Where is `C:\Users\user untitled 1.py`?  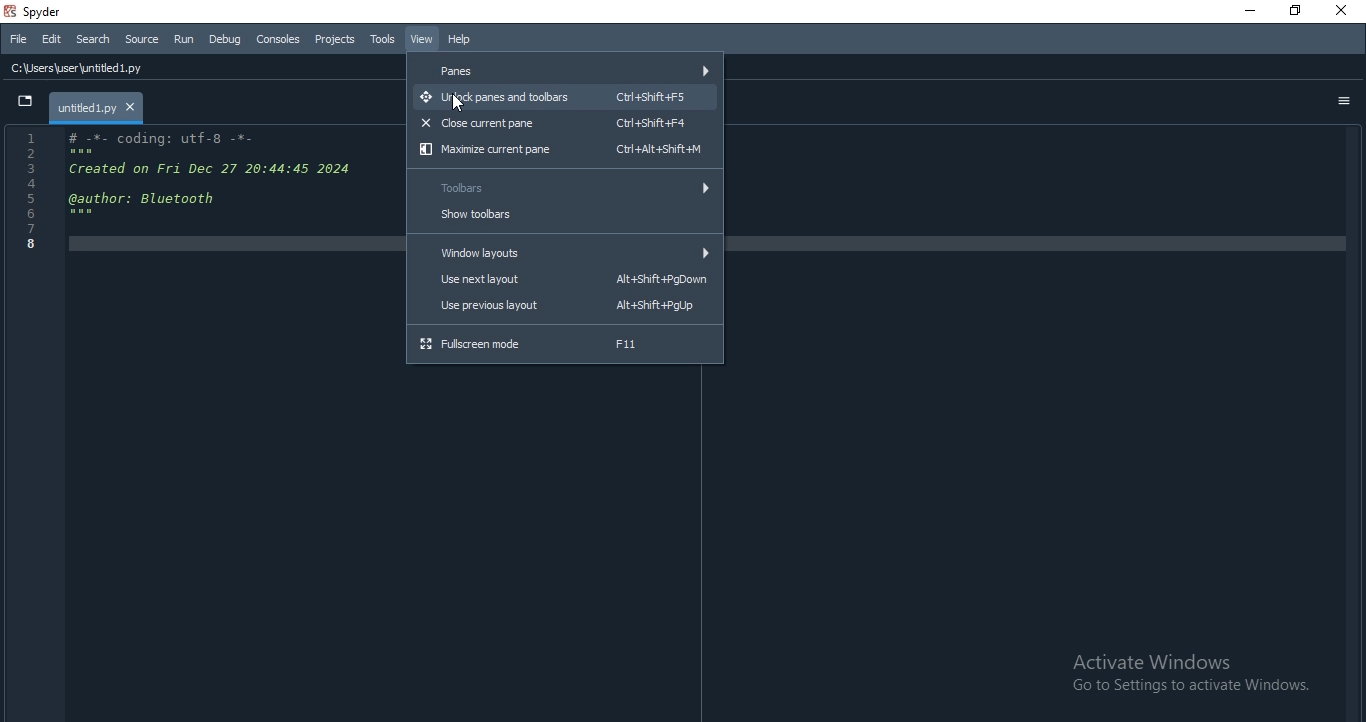 C:\Users\user untitled 1.py is located at coordinates (90, 70).